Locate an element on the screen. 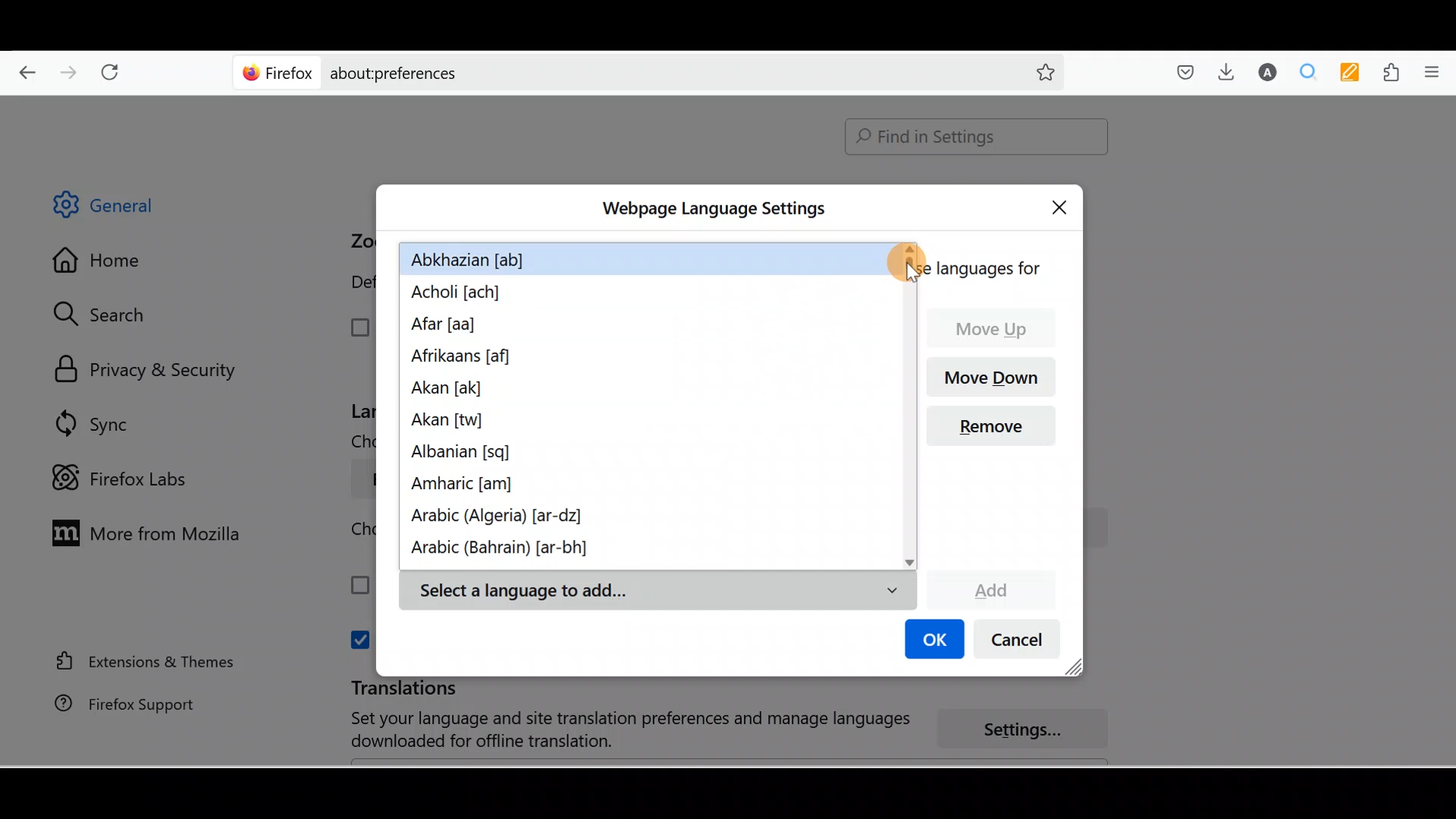 The image size is (1456, 819). Cancel is located at coordinates (1021, 643).